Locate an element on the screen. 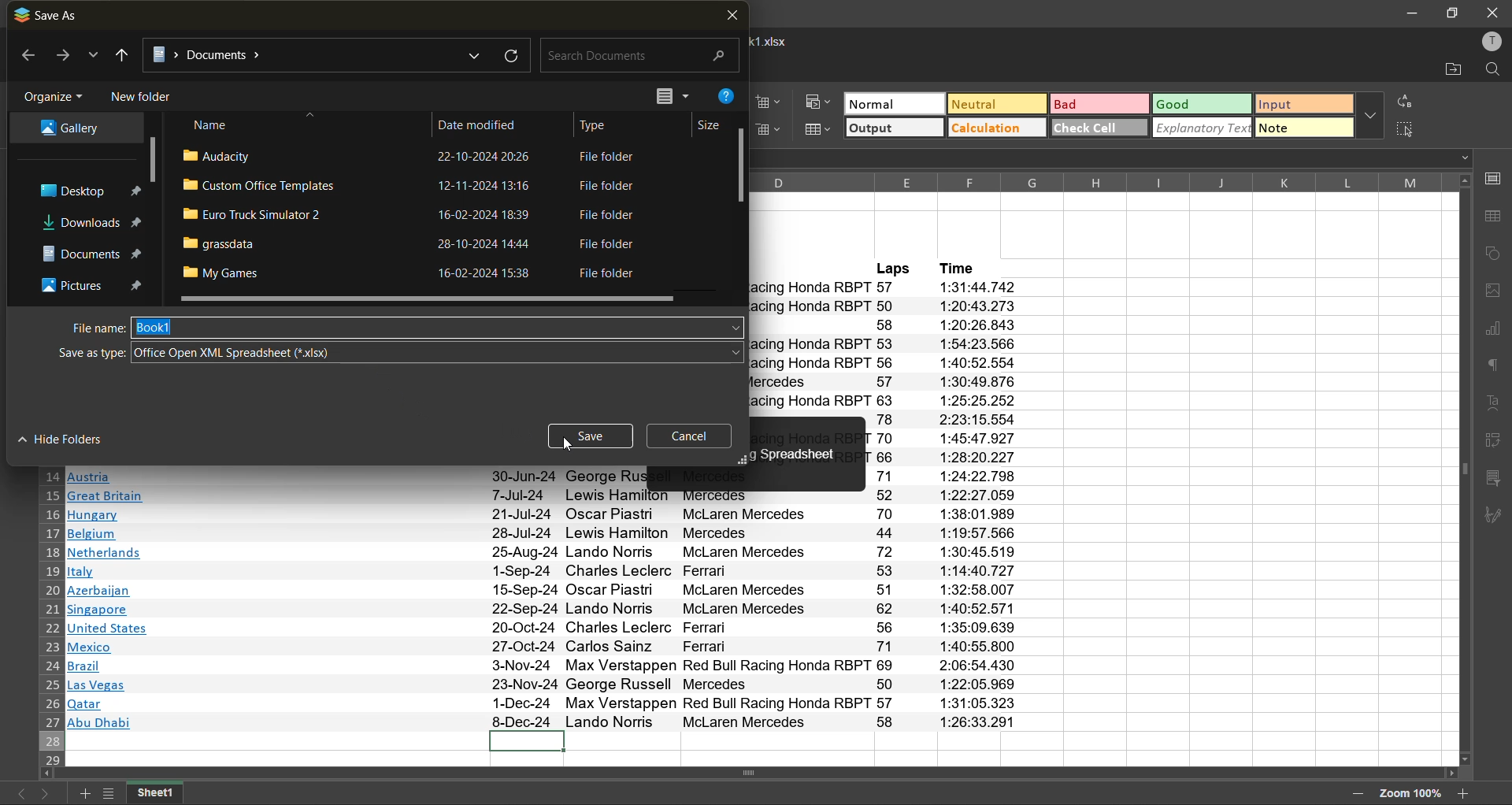  Brazil 33-Nov-24 Max Verstappen Red Bull Racing Honda RBPT 69 2:06:54 .430 is located at coordinates (544, 666).